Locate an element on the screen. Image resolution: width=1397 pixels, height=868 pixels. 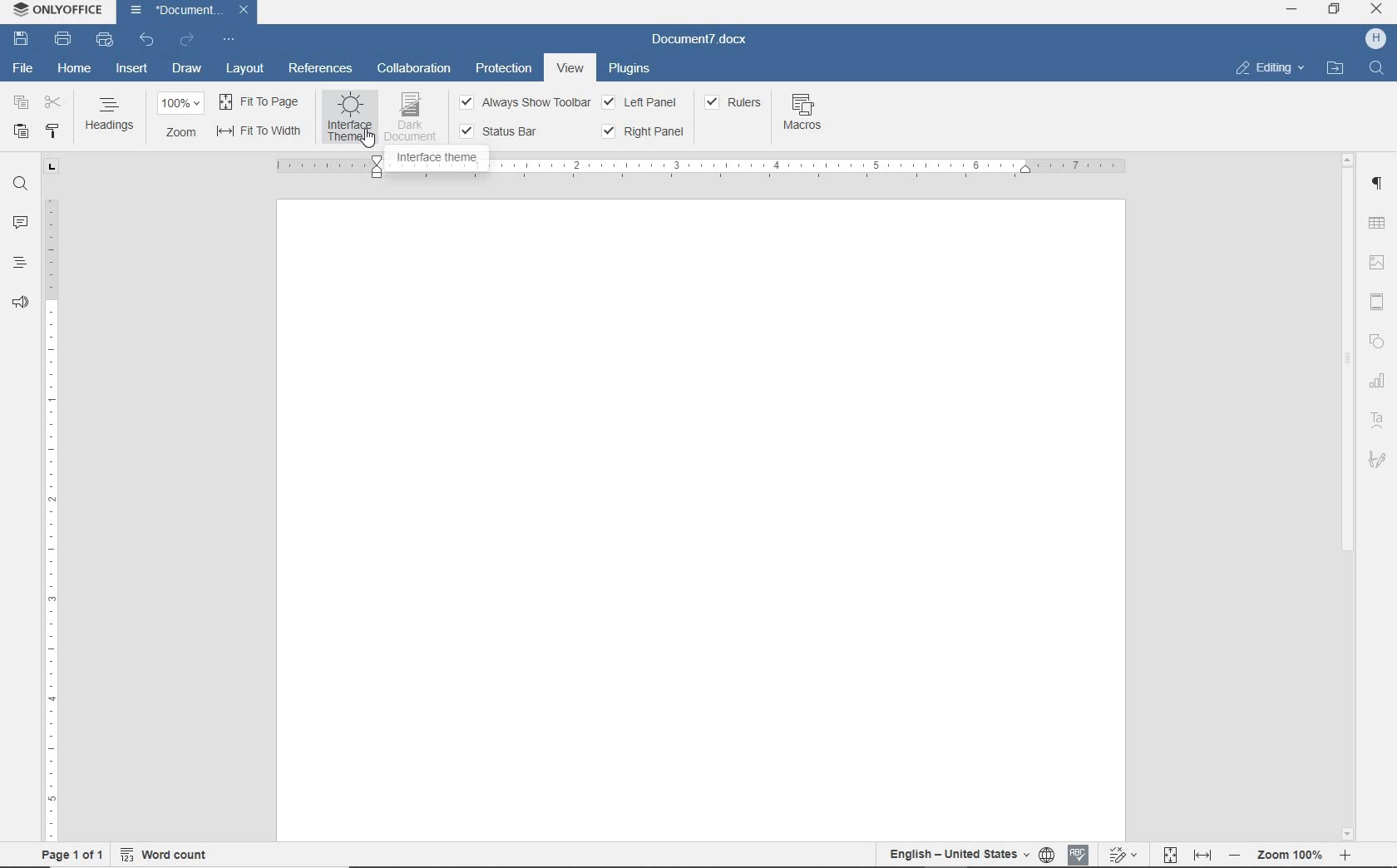
FIND is located at coordinates (21, 186).